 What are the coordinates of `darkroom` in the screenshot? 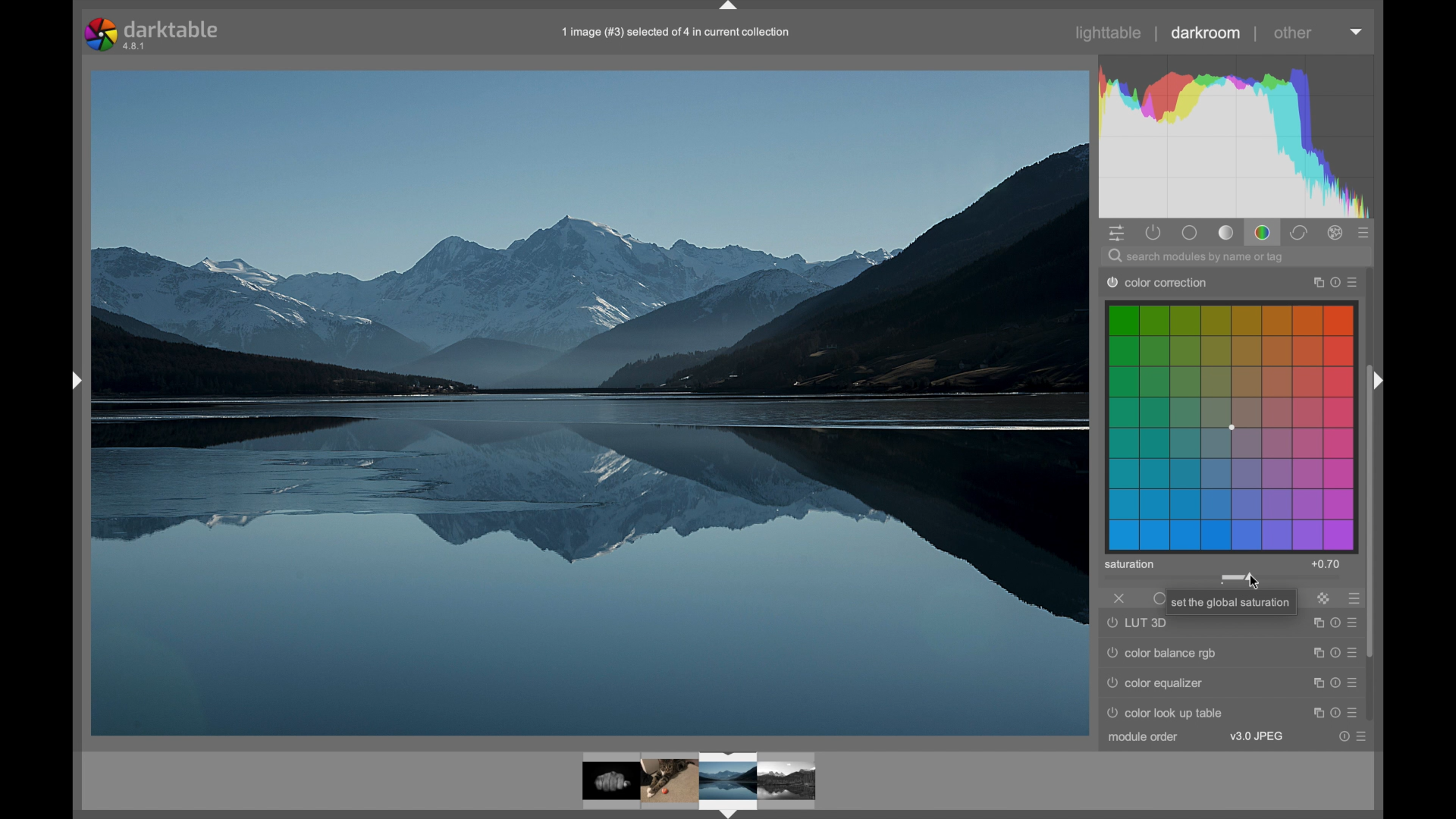 It's located at (1207, 33).